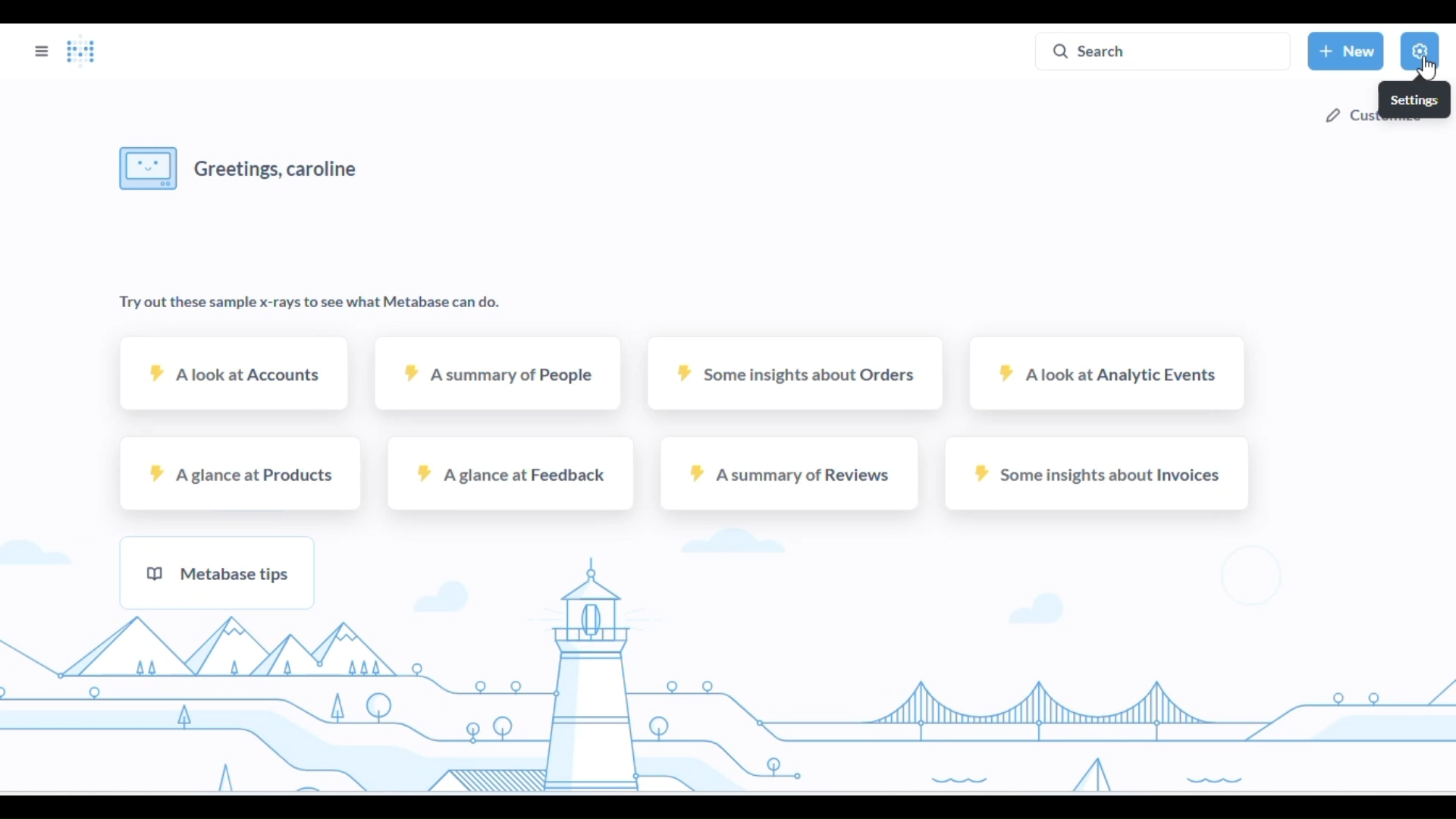  What do you see at coordinates (42, 51) in the screenshot?
I see `open sidebar` at bounding box center [42, 51].